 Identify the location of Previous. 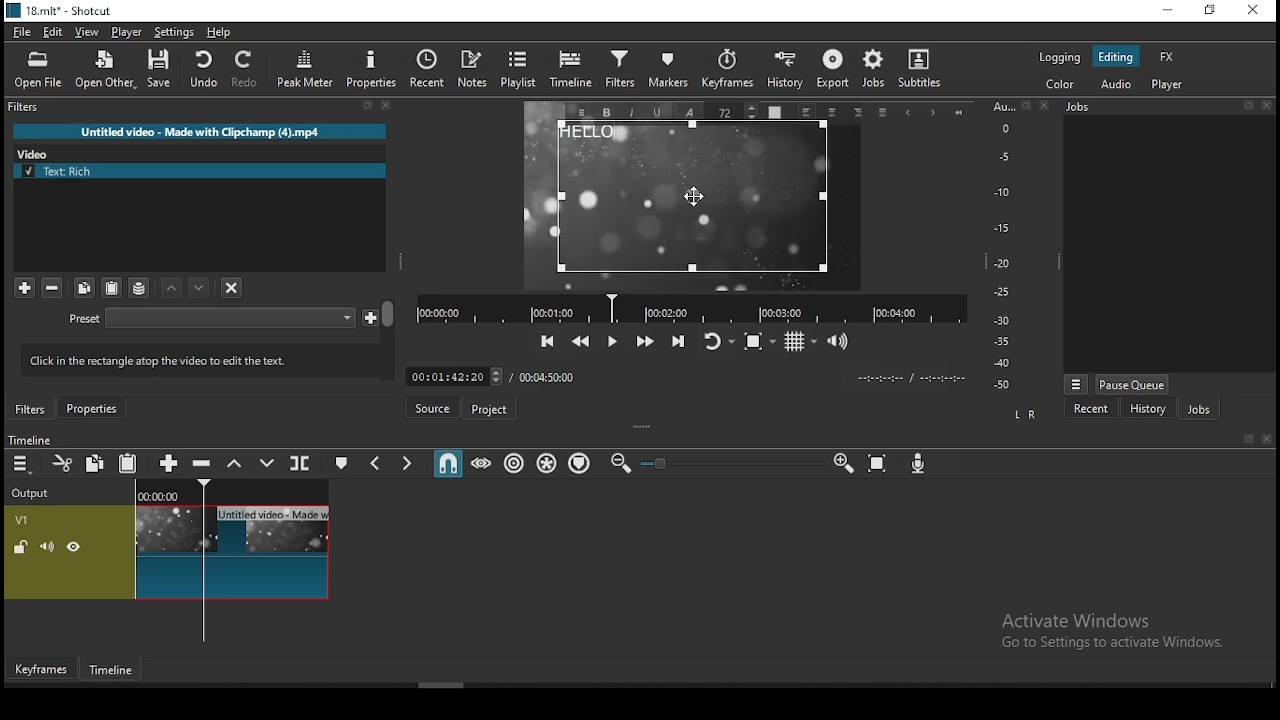
(907, 114).